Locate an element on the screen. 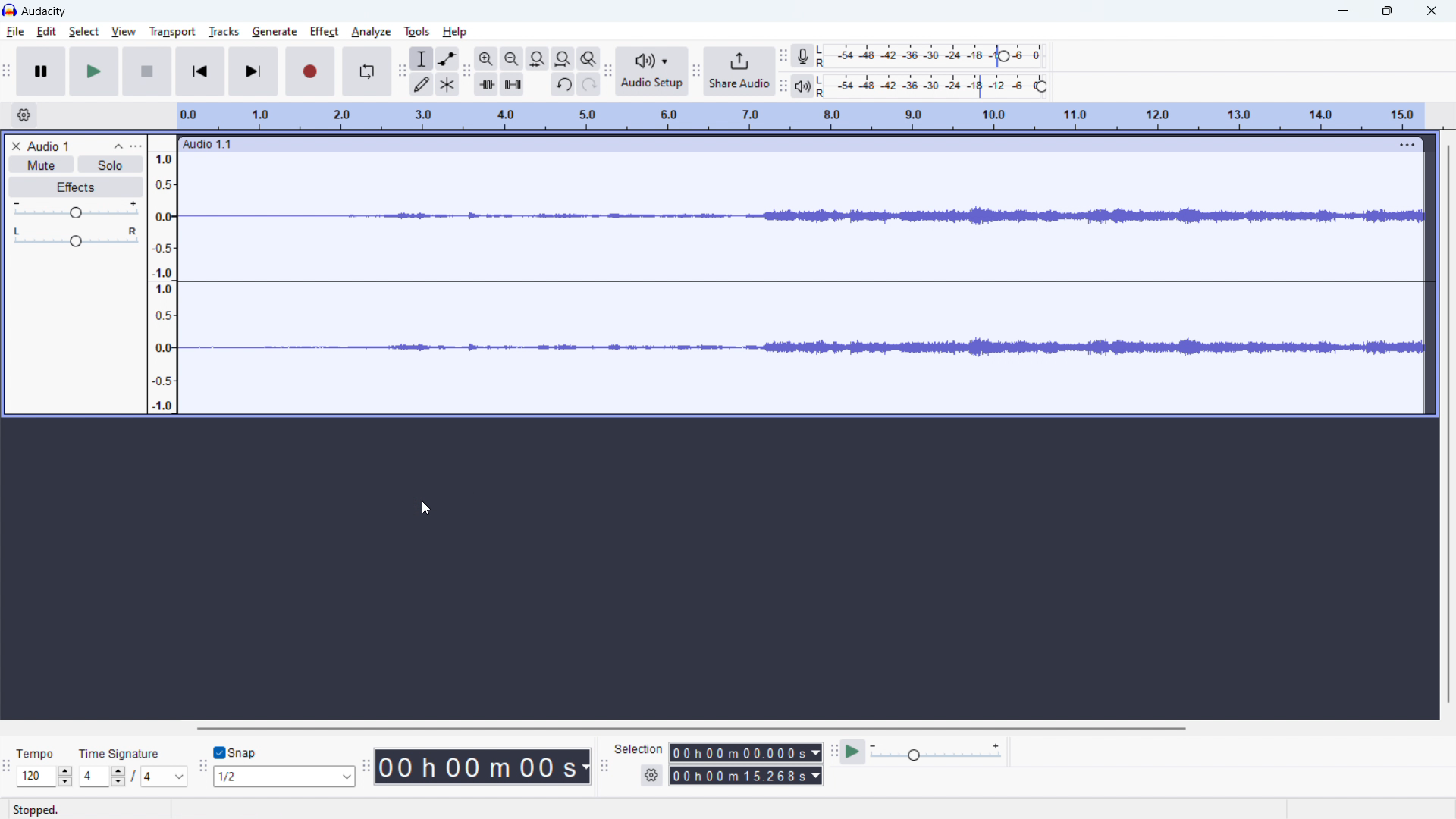 Image resolution: width=1456 pixels, height=819 pixels. playback meter is located at coordinates (804, 86).